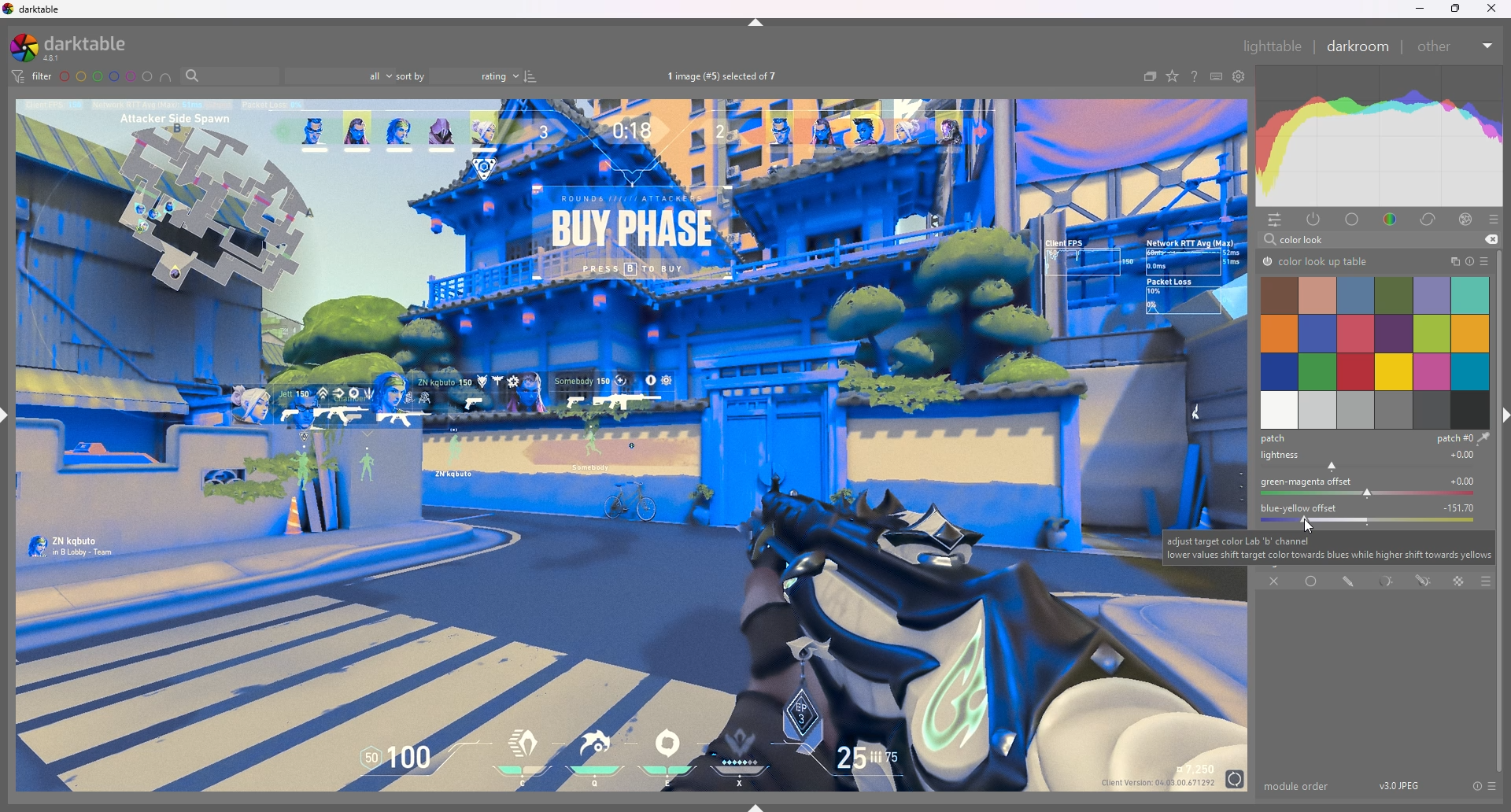 This screenshot has width=1511, height=812. What do you see at coordinates (1373, 513) in the screenshot?
I see `blue yellow offset` at bounding box center [1373, 513].